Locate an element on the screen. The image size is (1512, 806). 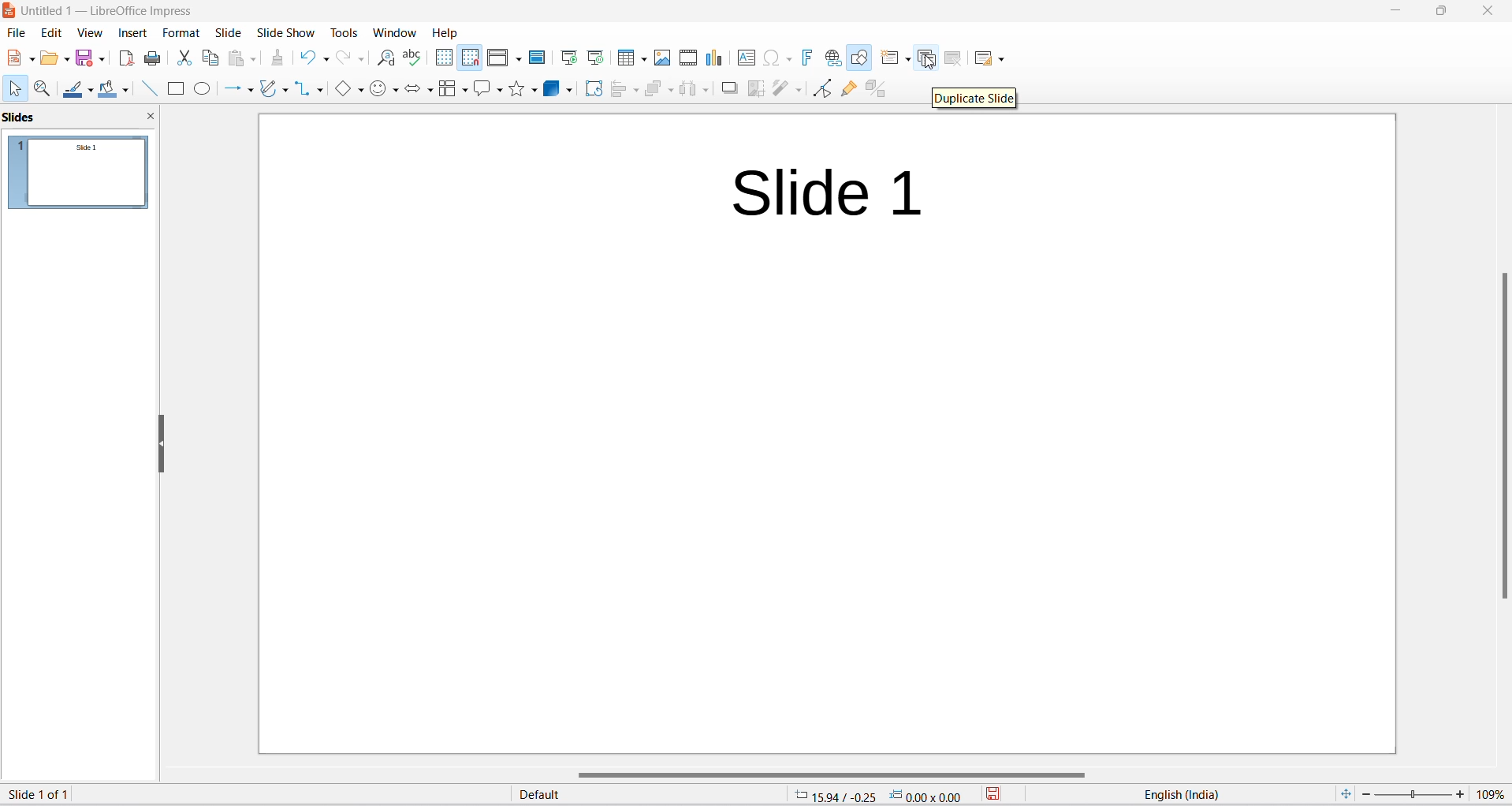
Line and arrows is located at coordinates (236, 91).